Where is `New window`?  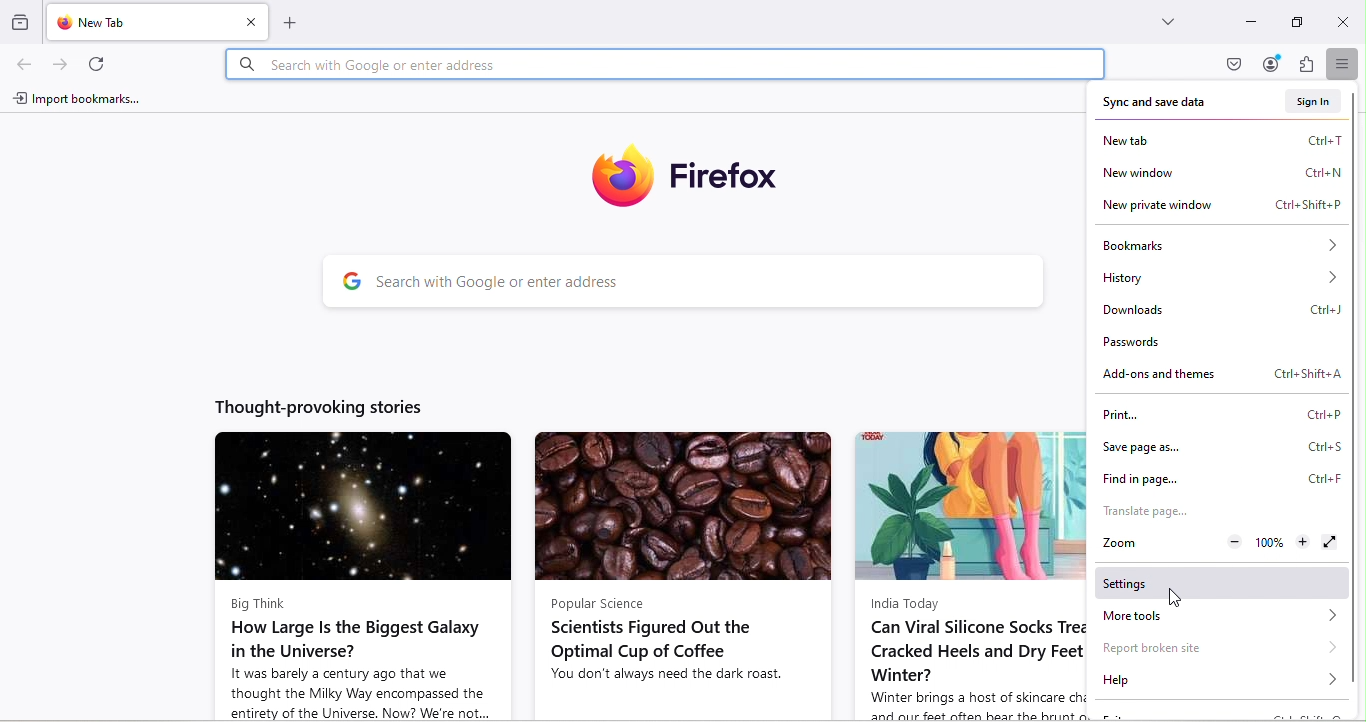 New window is located at coordinates (1218, 175).